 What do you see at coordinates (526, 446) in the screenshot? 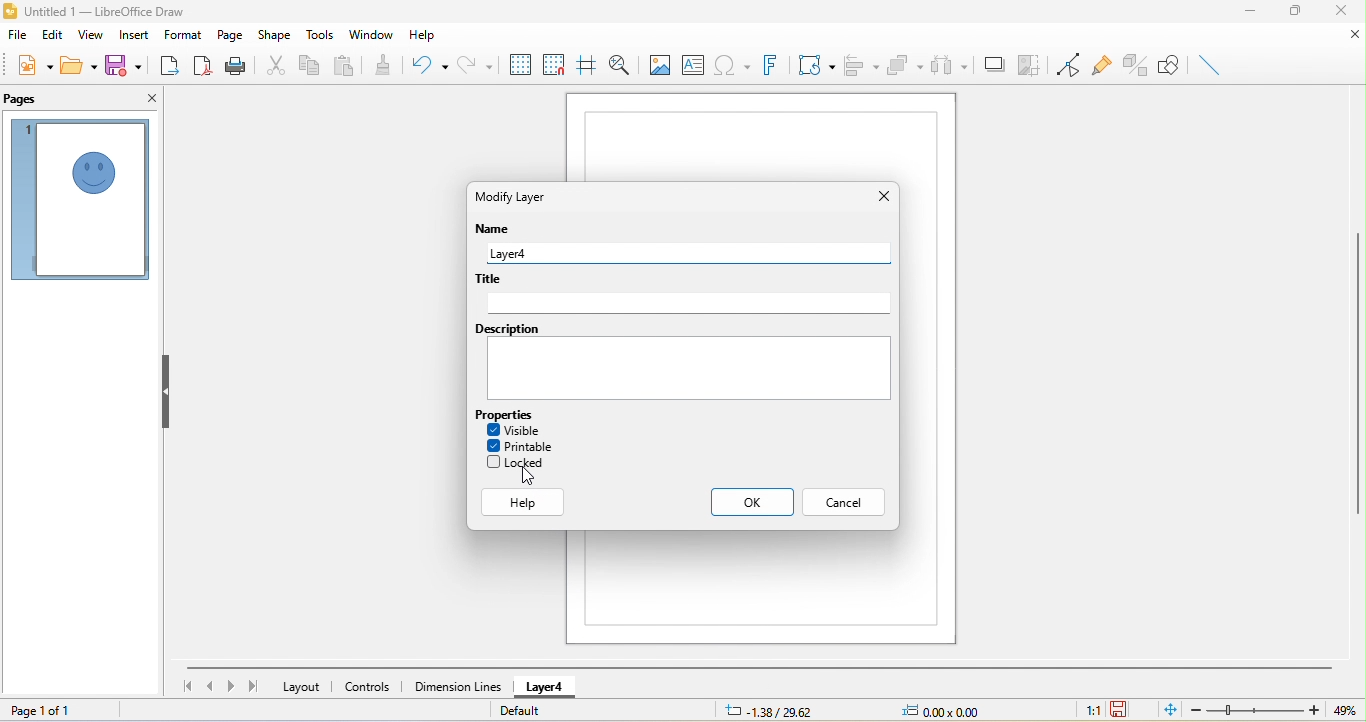
I see `printable` at bounding box center [526, 446].